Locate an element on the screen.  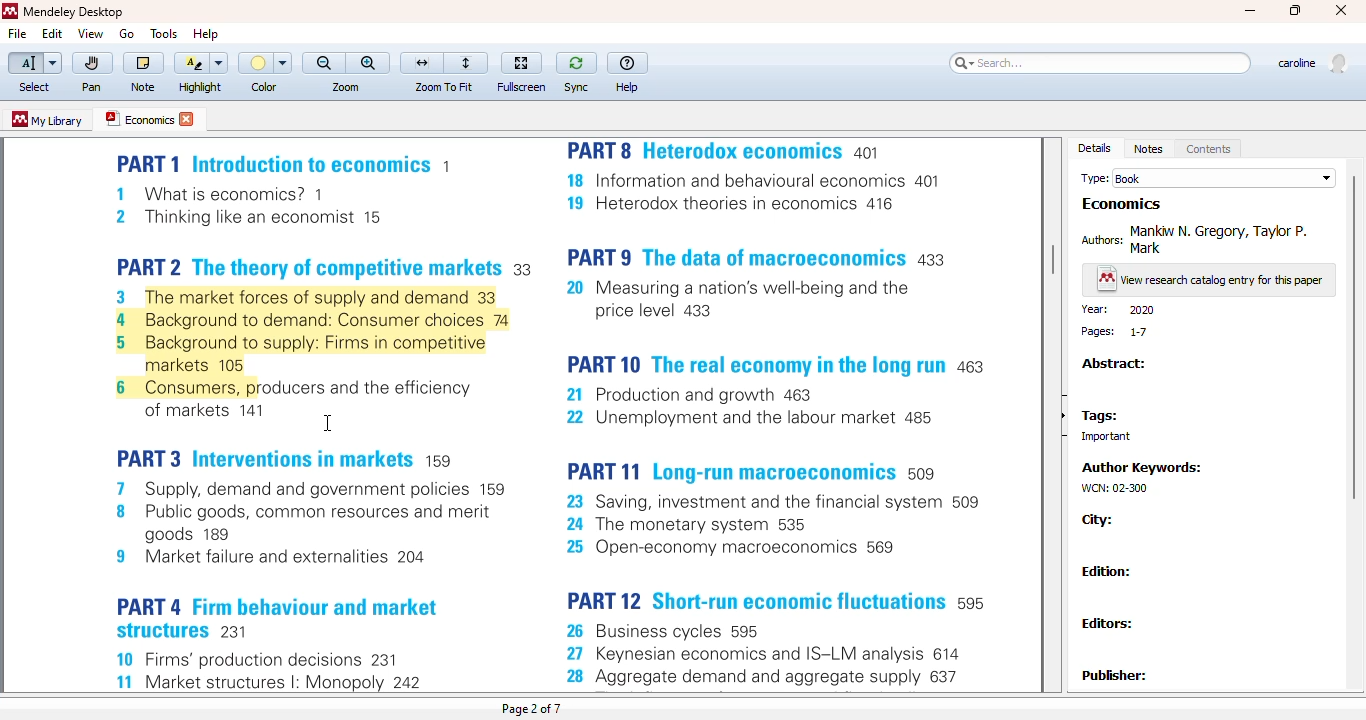
zoom to fit is located at coordinates (443, 87).